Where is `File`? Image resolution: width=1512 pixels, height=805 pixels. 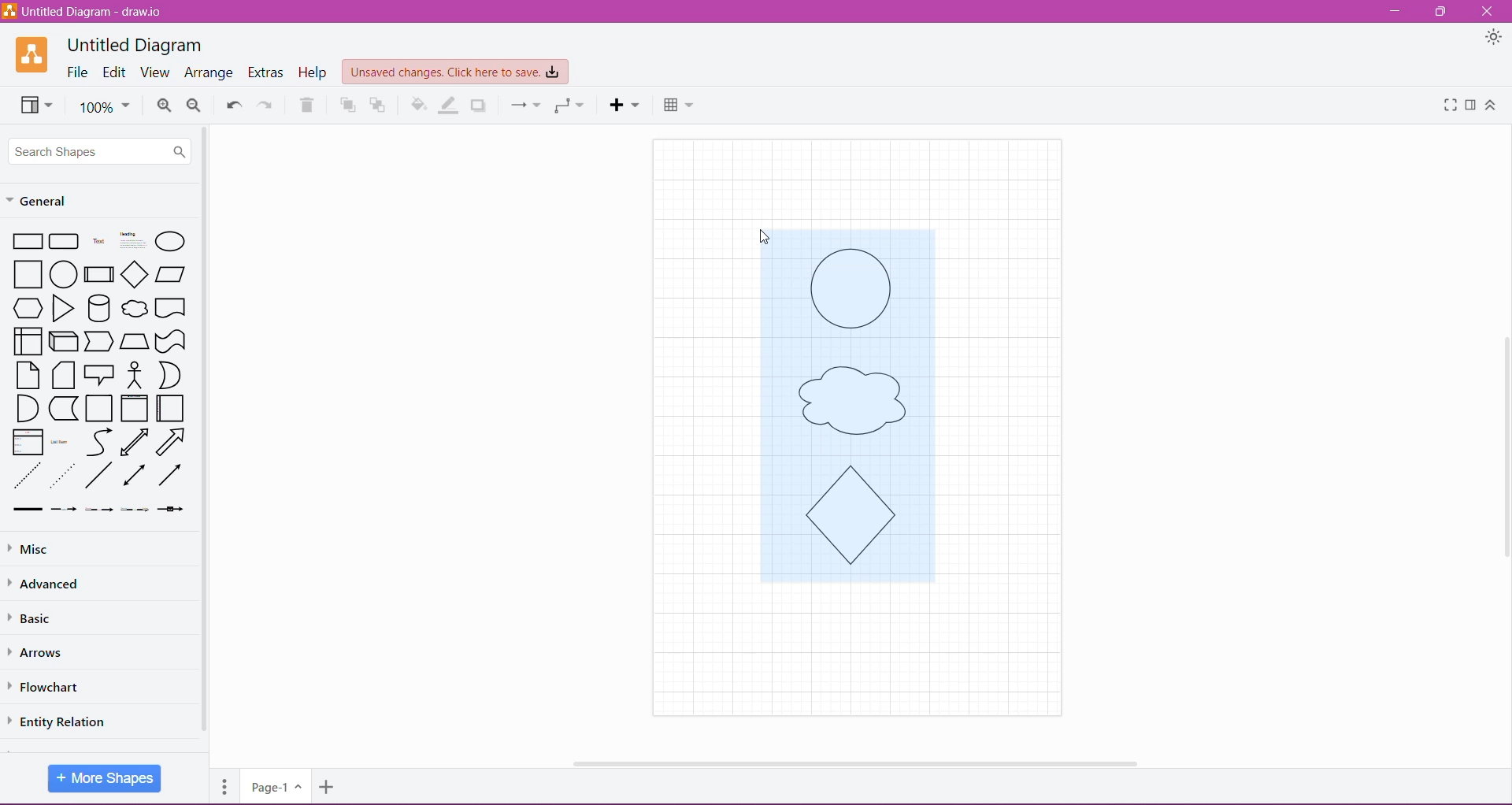 File is located at coordinates (78, 72).